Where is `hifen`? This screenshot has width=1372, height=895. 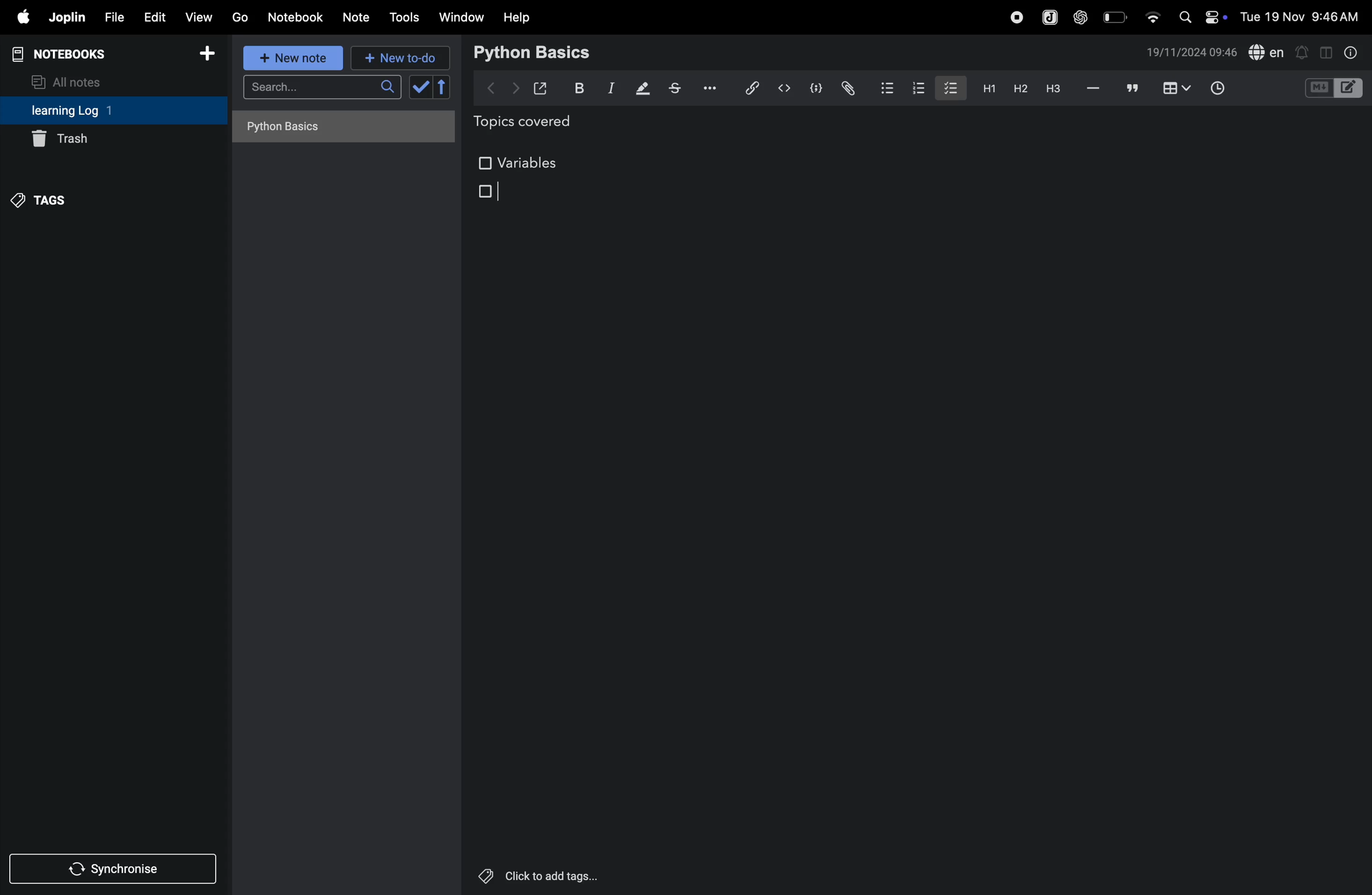
hifen is located at coordinates (1094, 89).